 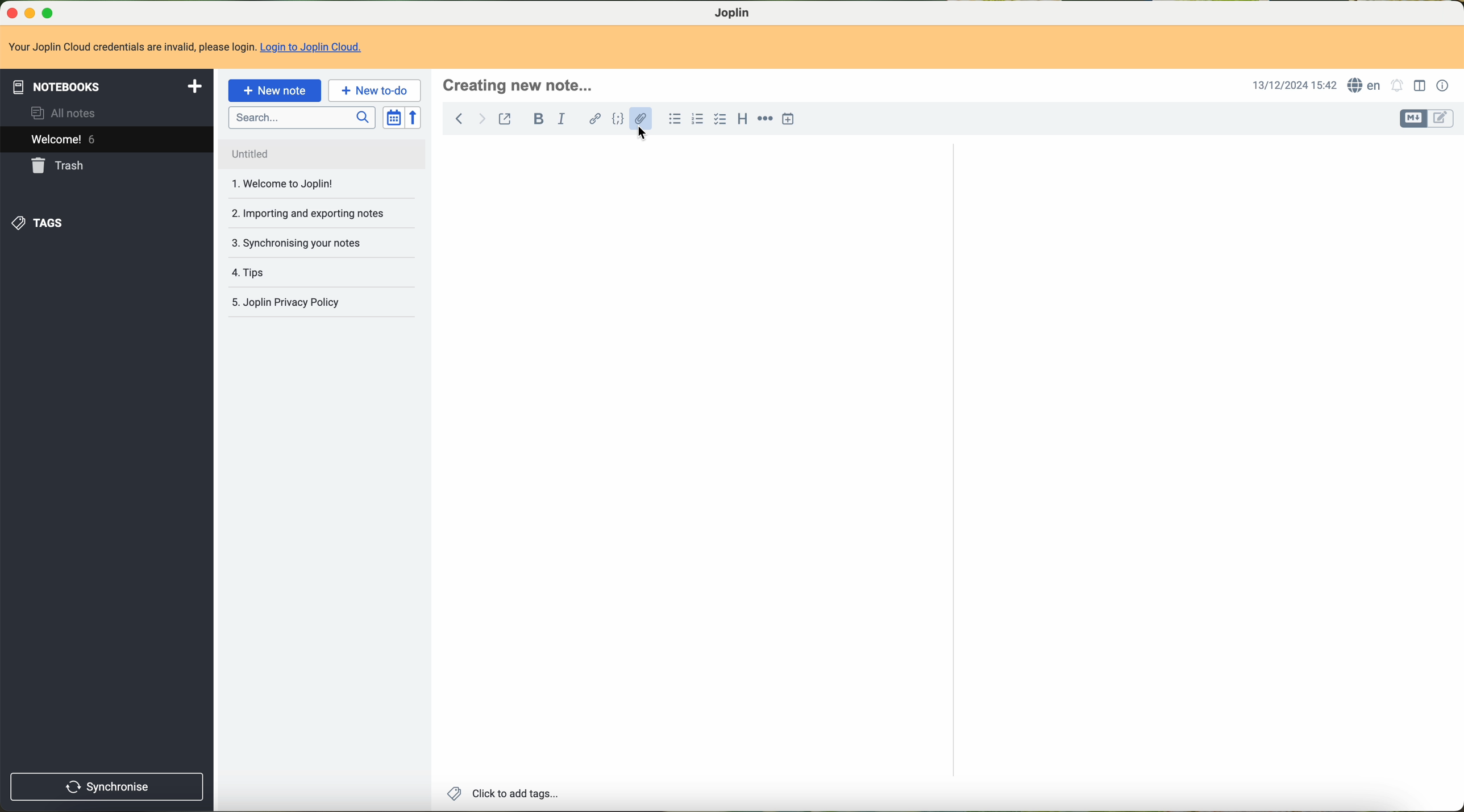 I want to click on toggle external editing, so click(x=505, y=120).